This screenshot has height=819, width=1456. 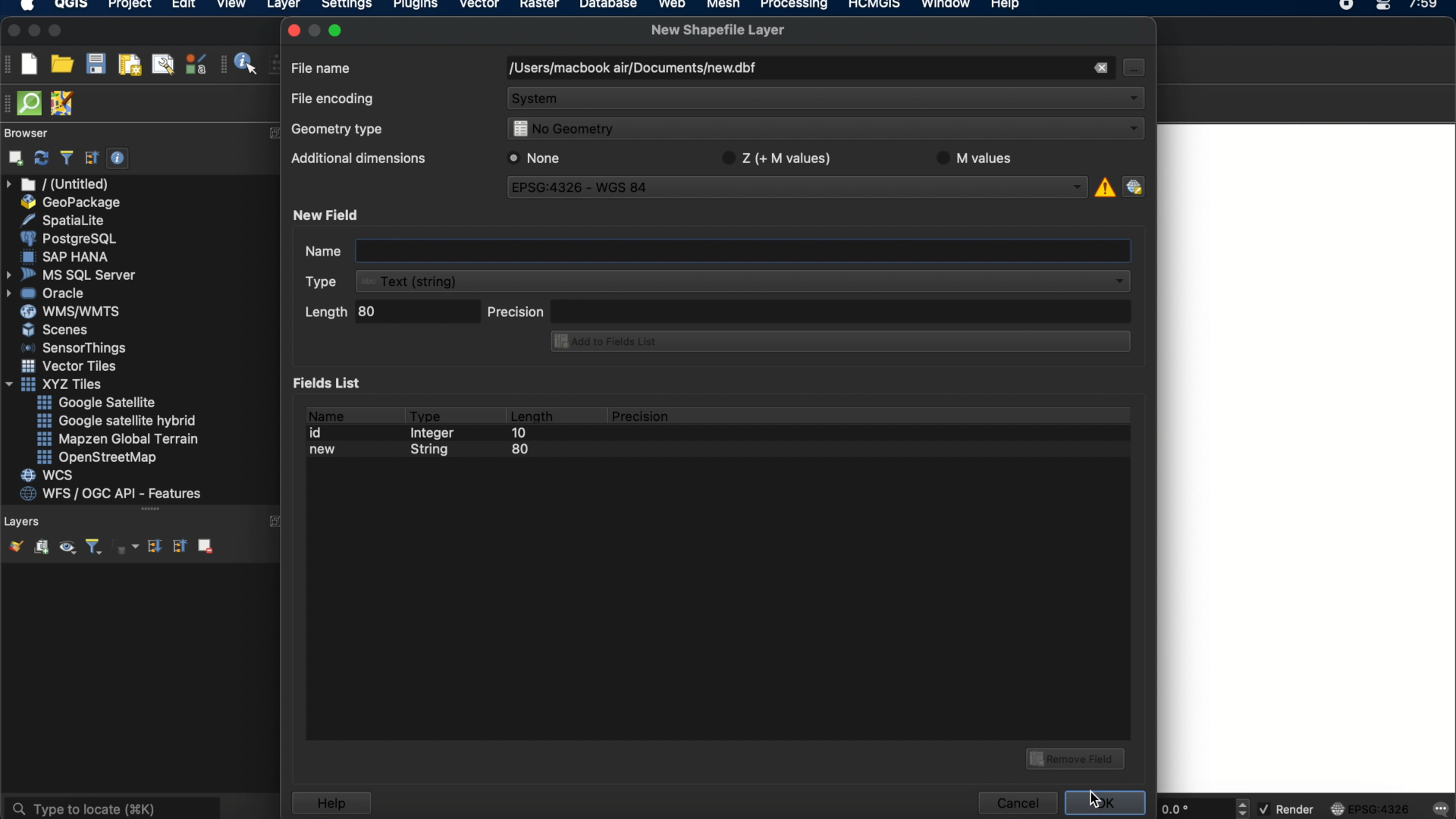 What do you see at coordinates (56, 329) in the screenshot?
I see `scenes` at bounding box center [56, 329].